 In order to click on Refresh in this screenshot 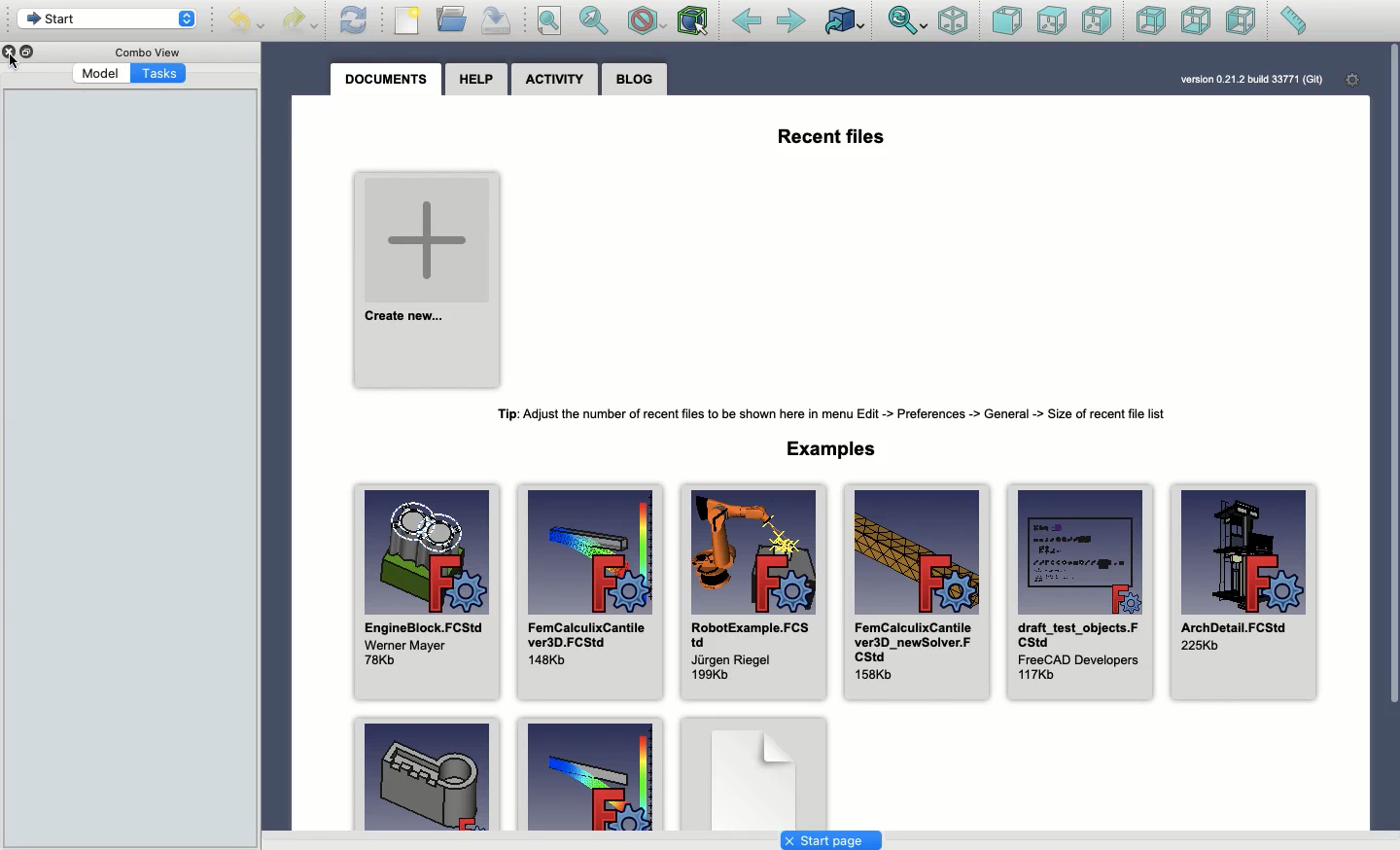, I will do `click(353, 20)`.